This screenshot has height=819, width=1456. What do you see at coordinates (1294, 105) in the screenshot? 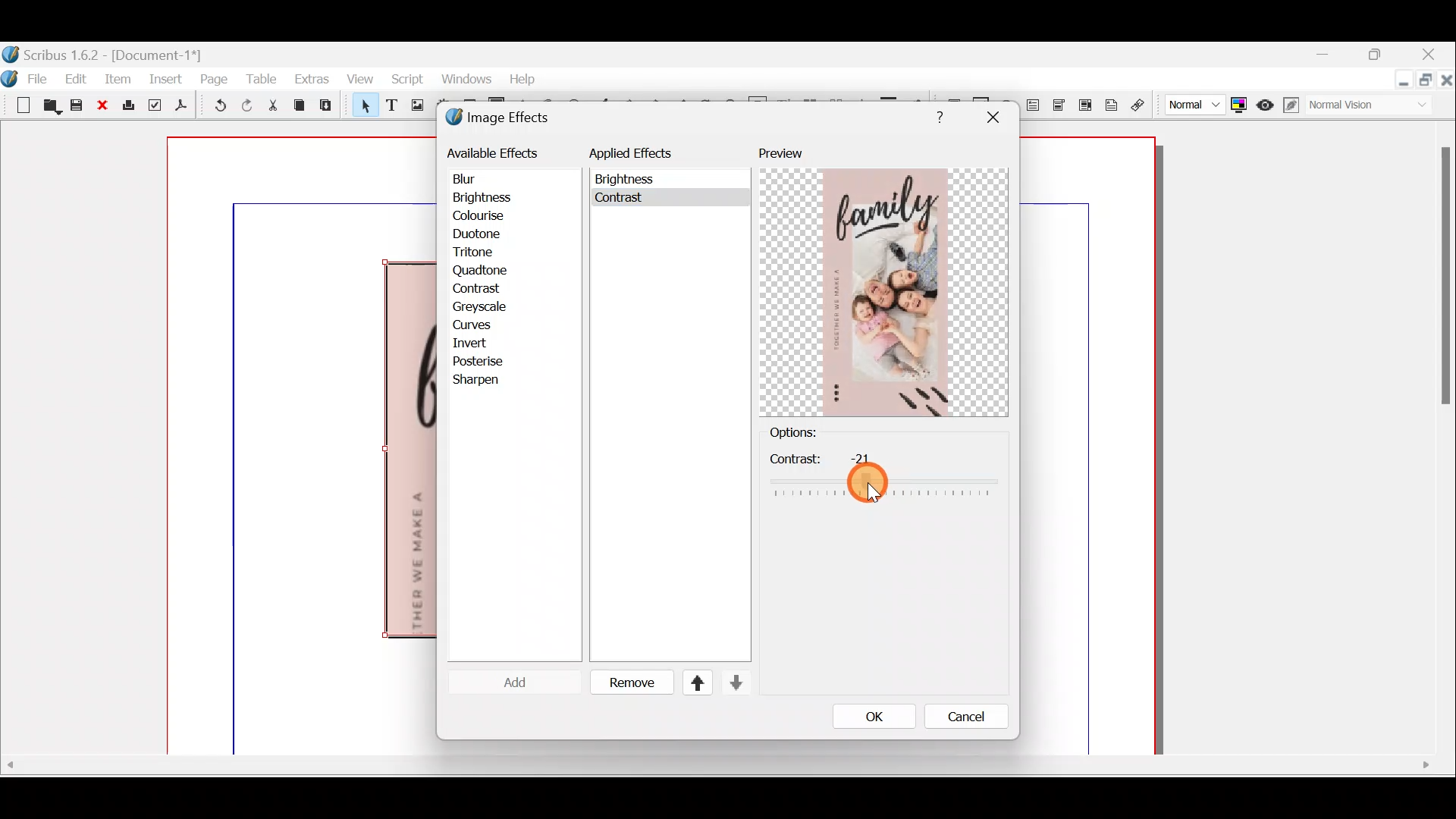
I see `Edit in preview mode` at bounding box center [1294, 105].